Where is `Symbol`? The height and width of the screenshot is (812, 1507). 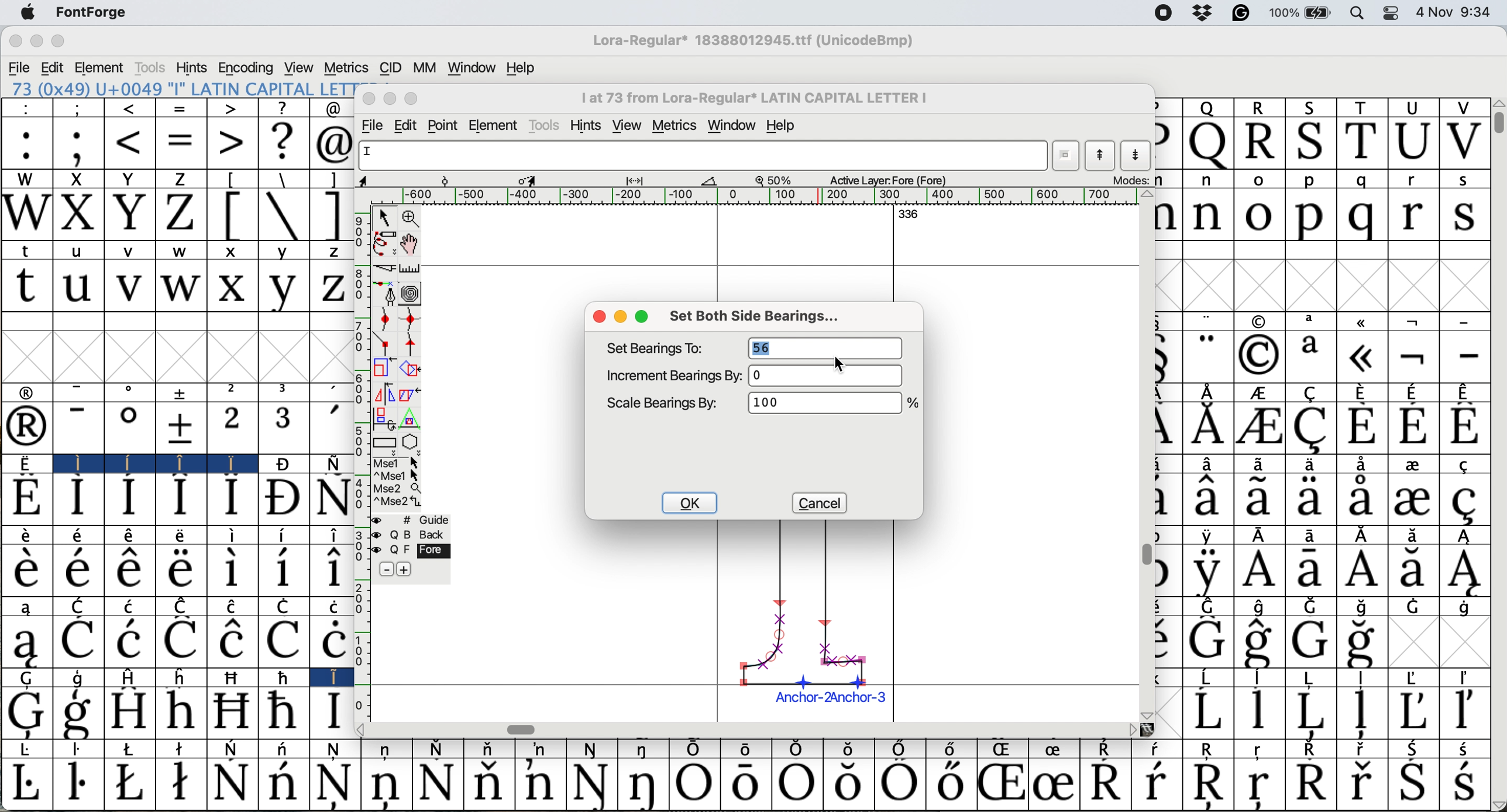 Symbol is located at coordinates (1260, 711).